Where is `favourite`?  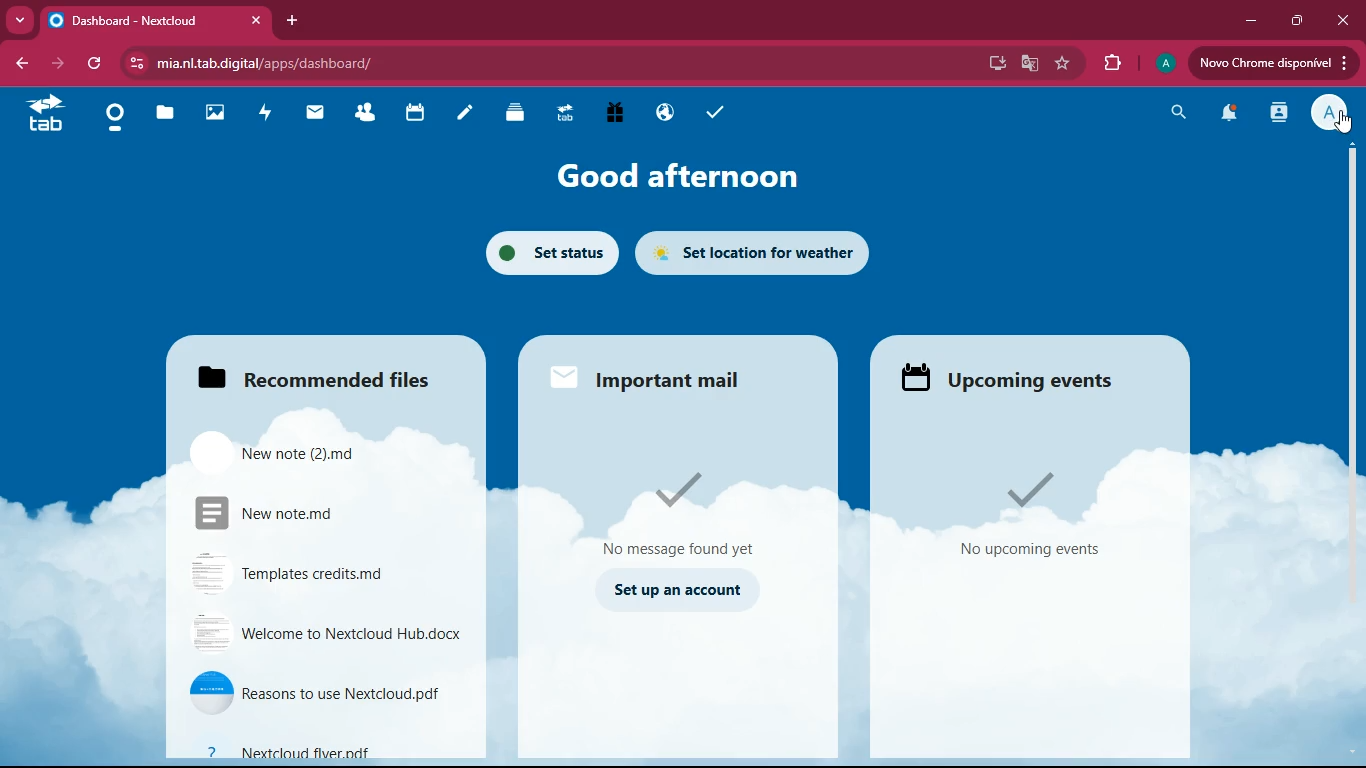
favourite is located at coordinates (1059, 66).